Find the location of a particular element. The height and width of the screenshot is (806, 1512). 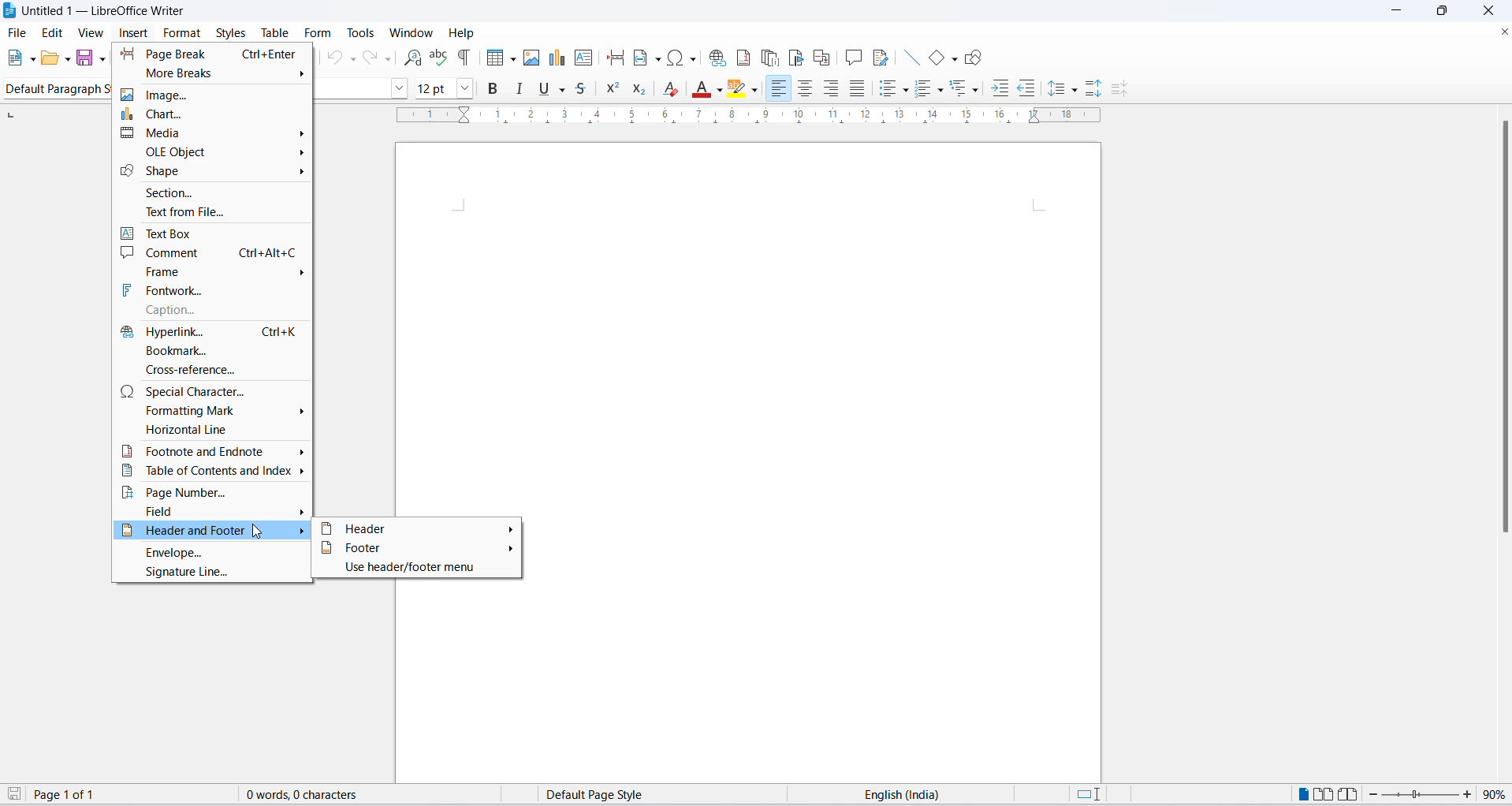

page break is located at coordinates (212, 54).